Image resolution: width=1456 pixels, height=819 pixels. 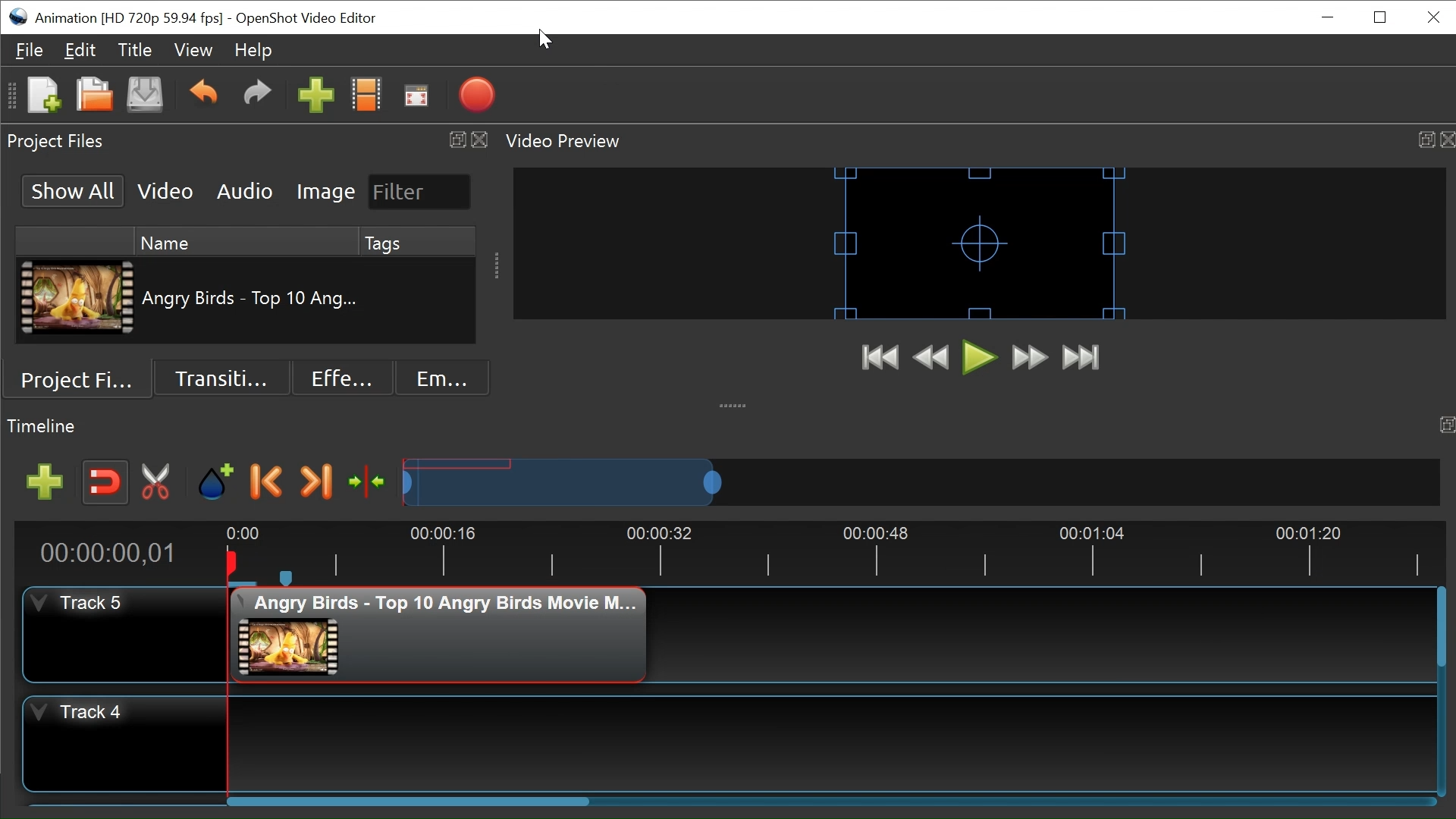 I want to click on Project Files, so click(x=87, y=382).